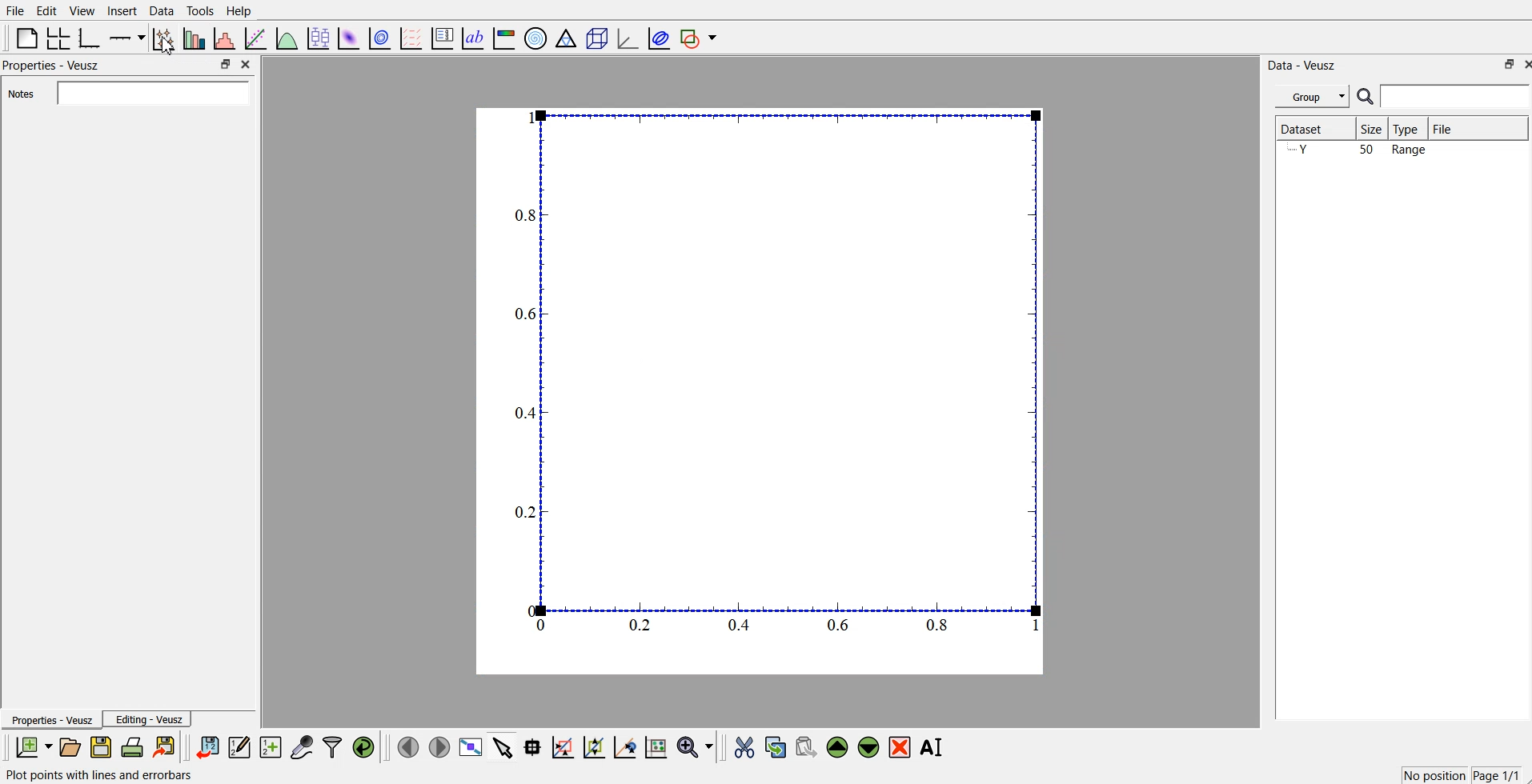 This screenshot has height=784, width=1532. What do you see at coordinates (535, 749) in the screenshot?
I see `read the data points` at bounding box center [535, 749].